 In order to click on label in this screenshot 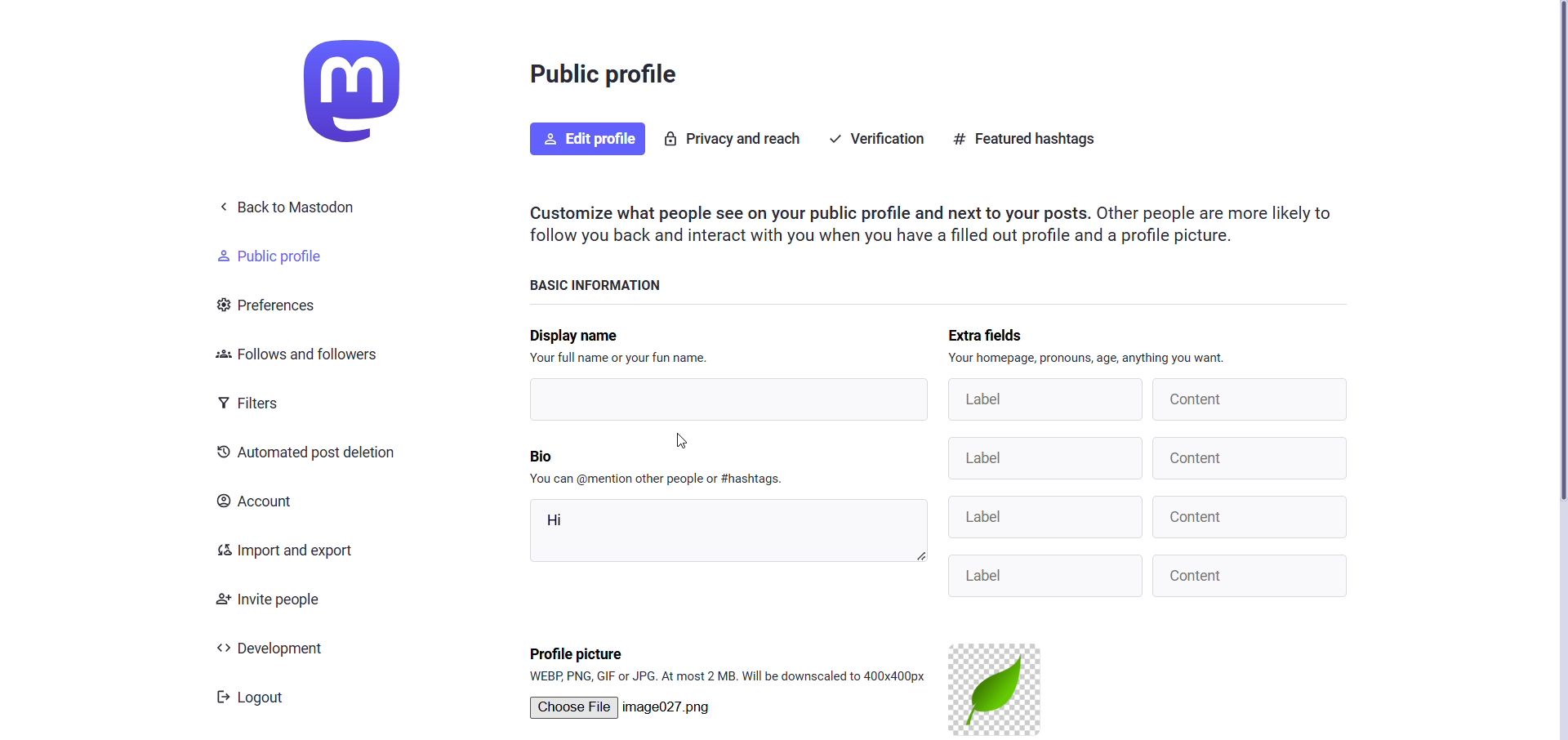, I will do `click(1042, 400)`.